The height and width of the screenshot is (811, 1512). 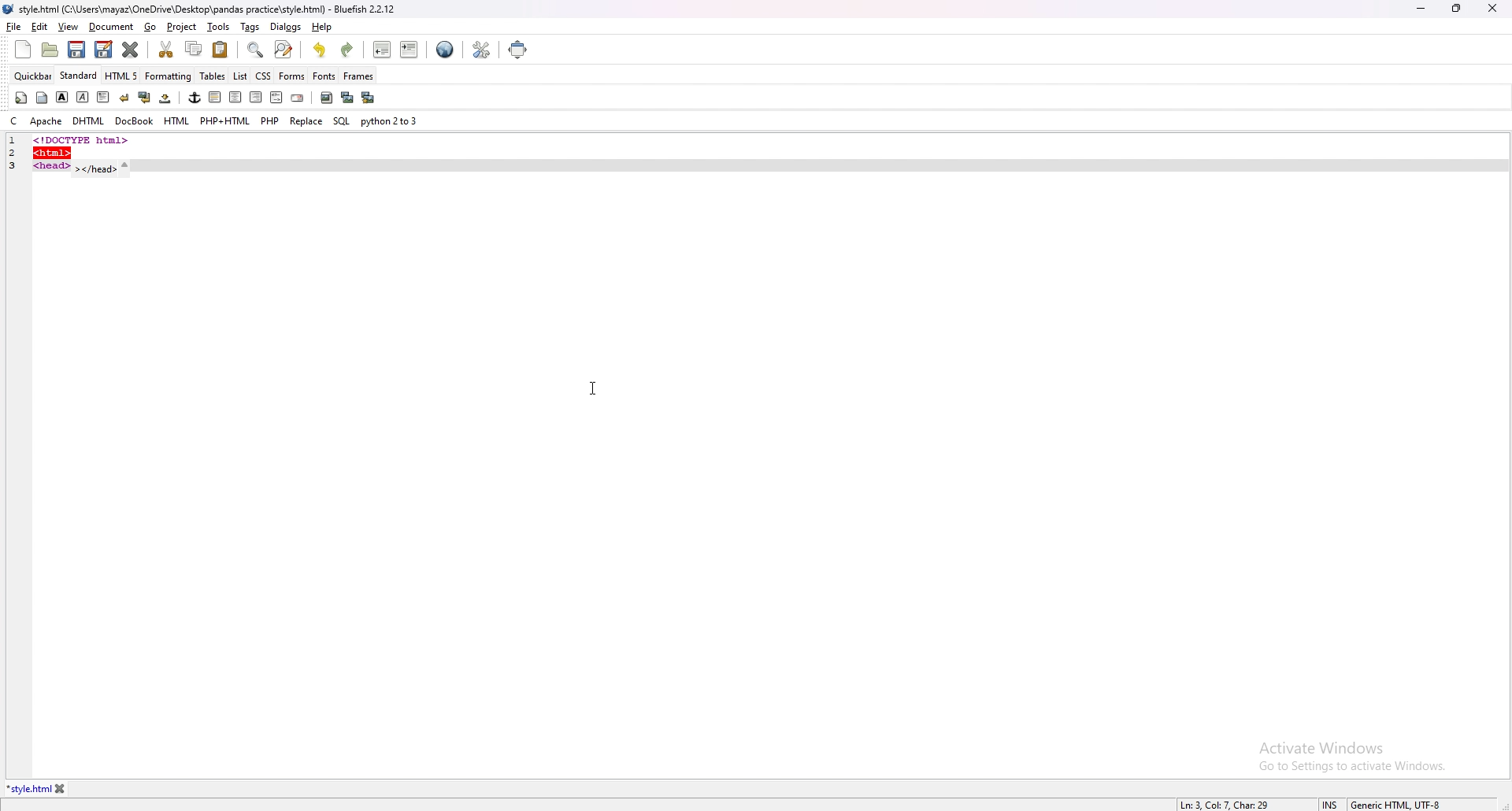 What do you see at coordinates (128, 139) in the screenshot?
I see `code` at bounding box center [128, 139].